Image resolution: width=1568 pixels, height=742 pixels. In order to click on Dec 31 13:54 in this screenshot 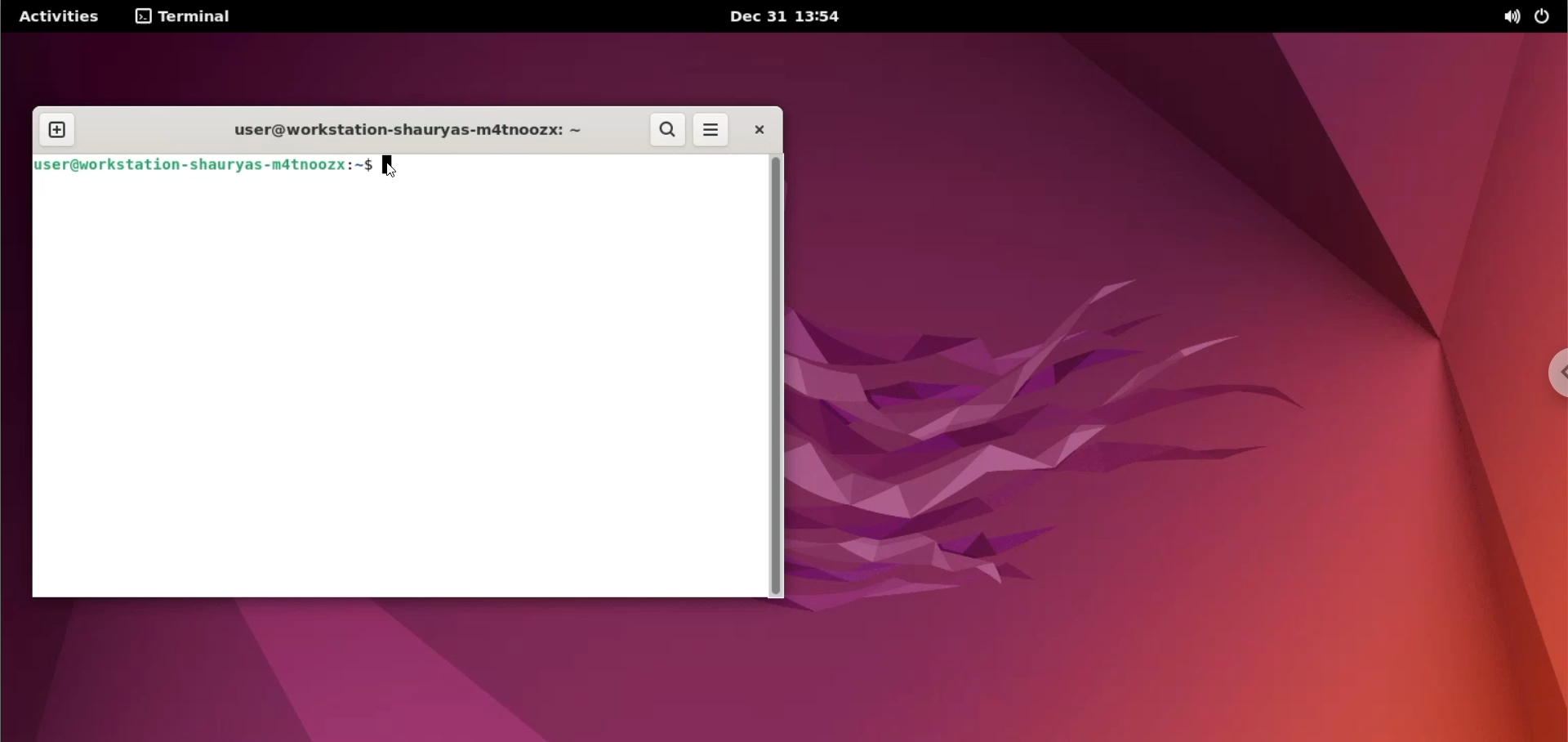, I will do `click(791, 16)`.